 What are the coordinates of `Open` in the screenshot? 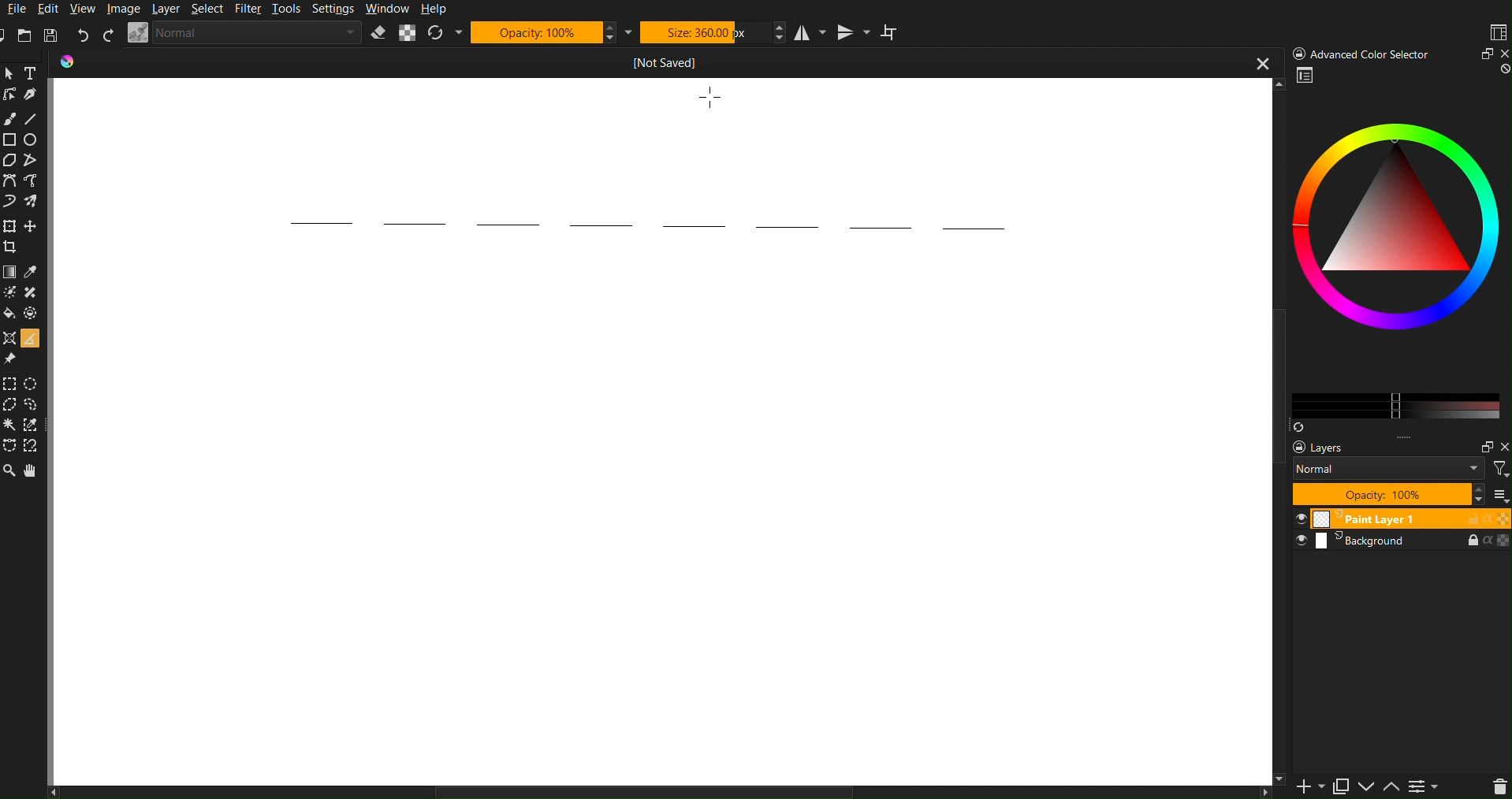 It's located at (27, 36).